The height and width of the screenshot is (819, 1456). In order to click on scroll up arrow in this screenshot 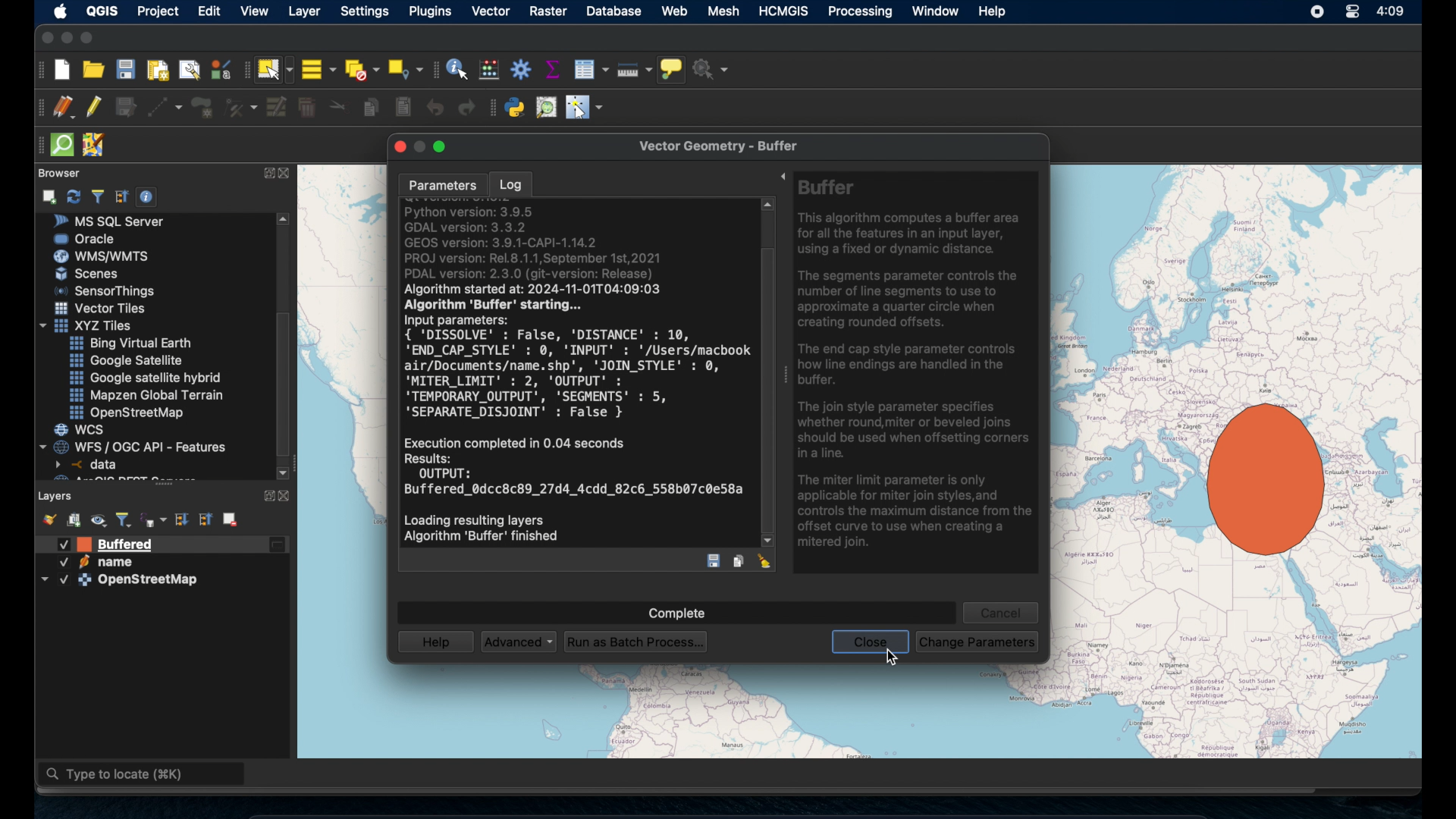, I will do `click(768, 207)`.